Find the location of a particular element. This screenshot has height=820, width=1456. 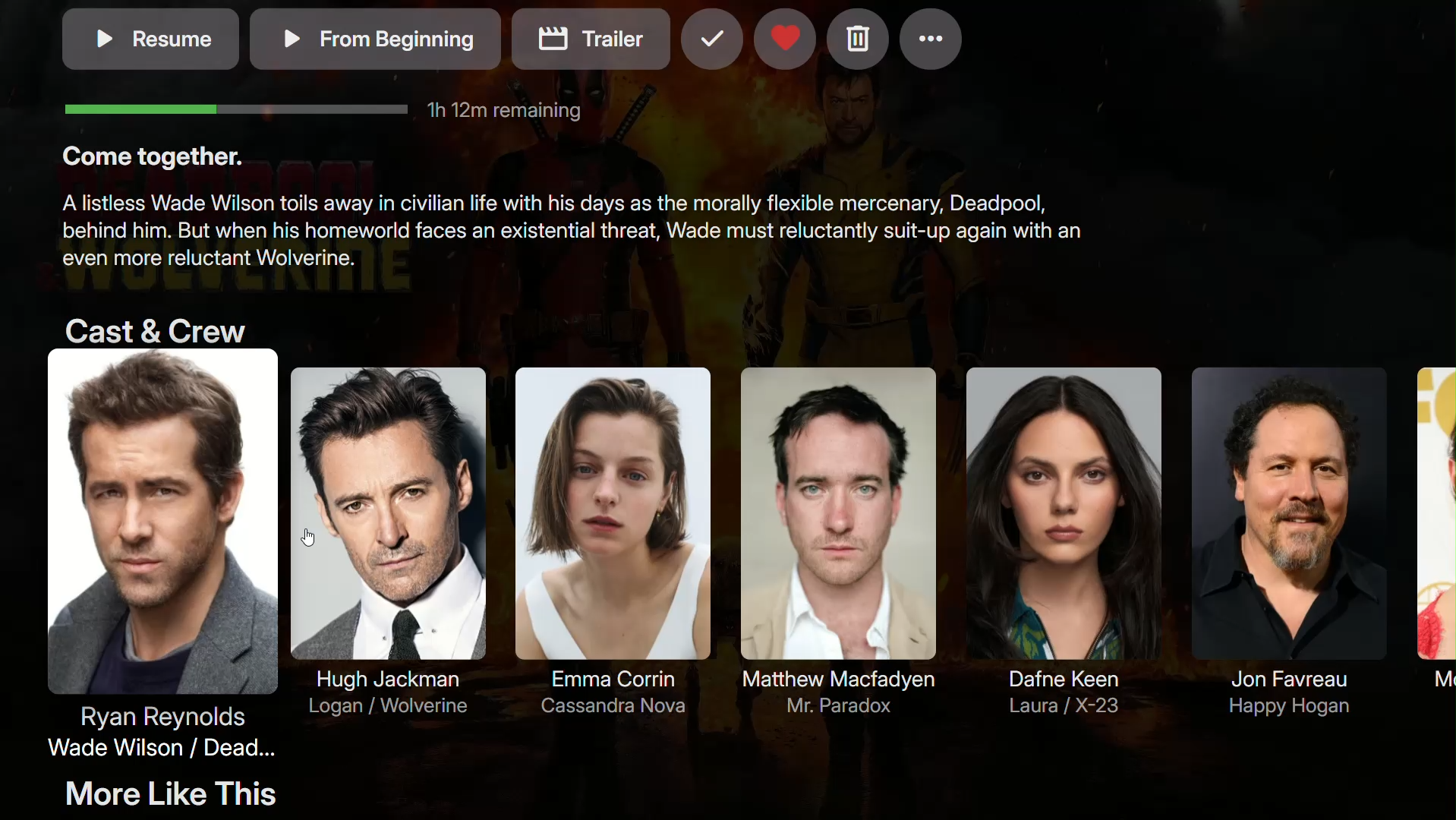

Movie description is located at coordinates (572, 237).